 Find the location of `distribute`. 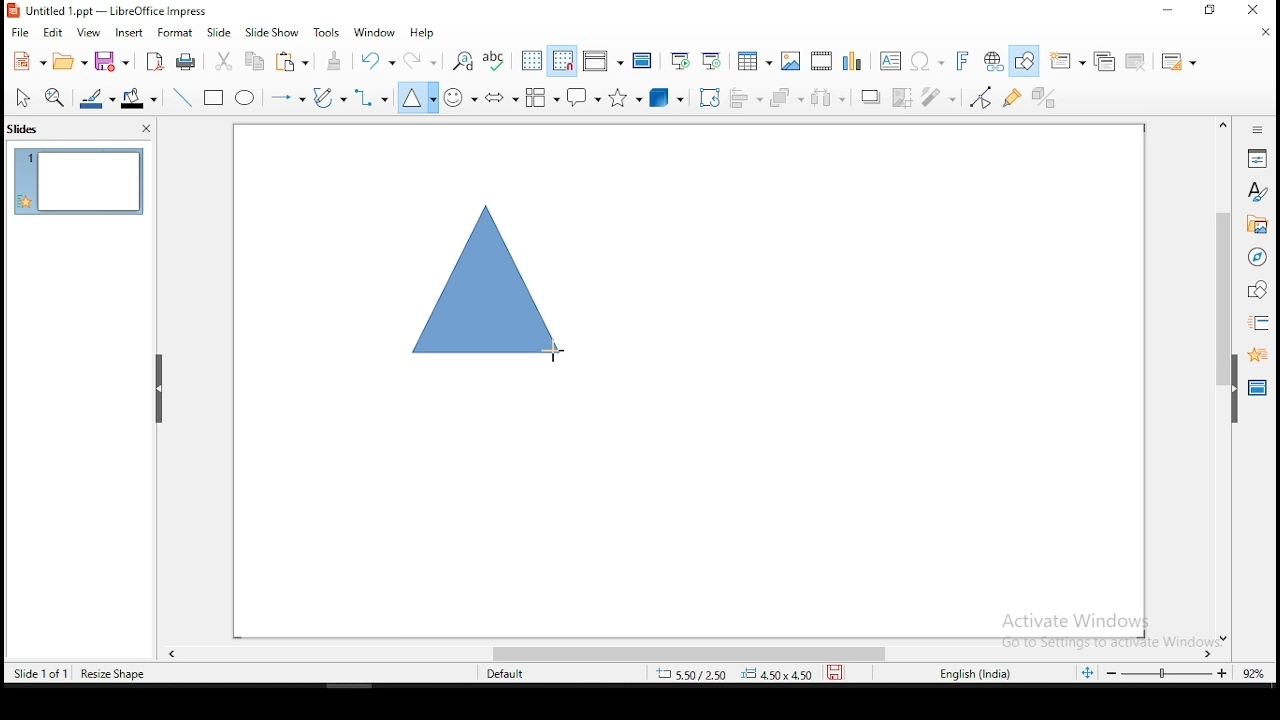

distribute is located at coordinates (834, 97).